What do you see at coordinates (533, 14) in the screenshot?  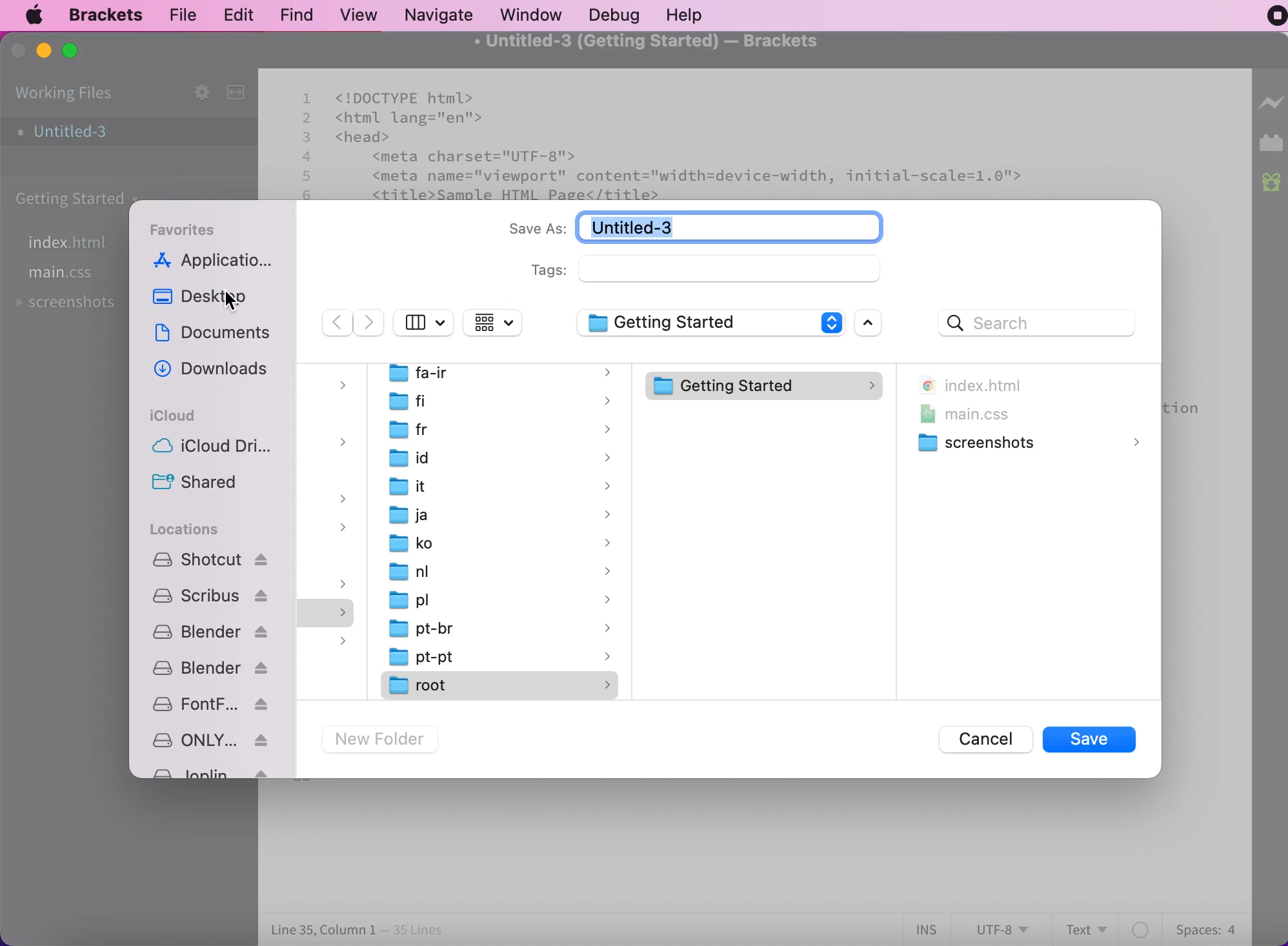 I see `window` at bounding box center [533, 14].